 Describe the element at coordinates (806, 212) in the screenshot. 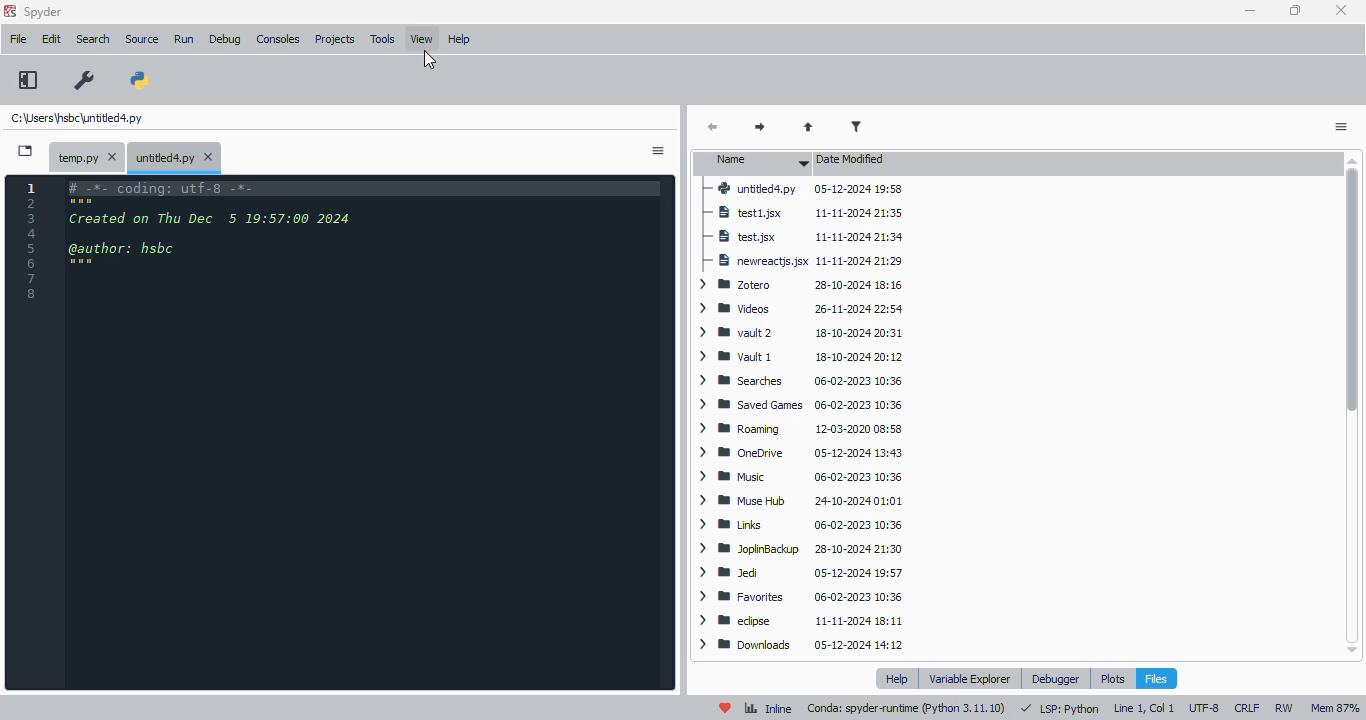

I see `test1.jsx` at that location.